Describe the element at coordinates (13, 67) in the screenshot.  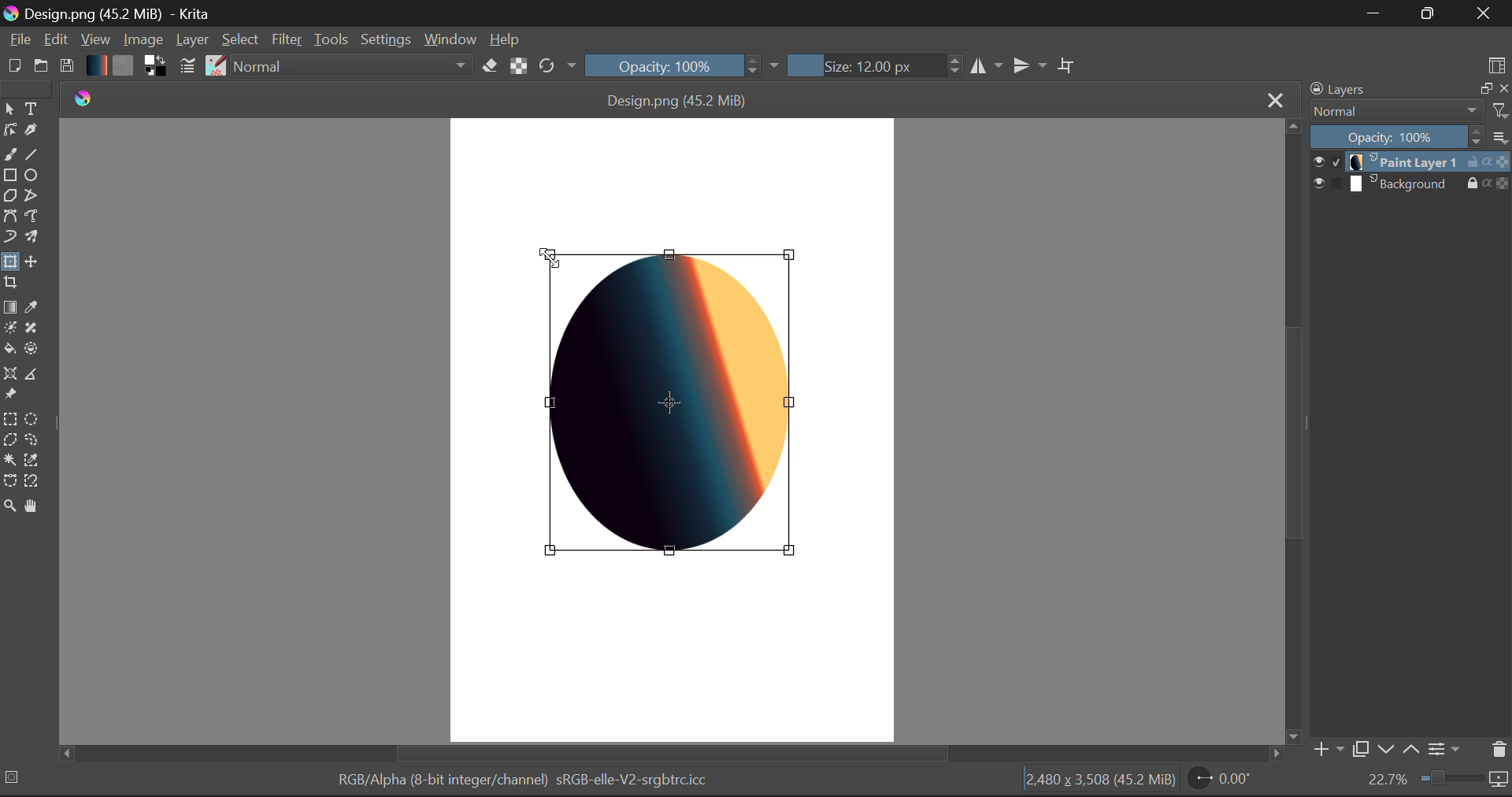
I see `New` at that location.